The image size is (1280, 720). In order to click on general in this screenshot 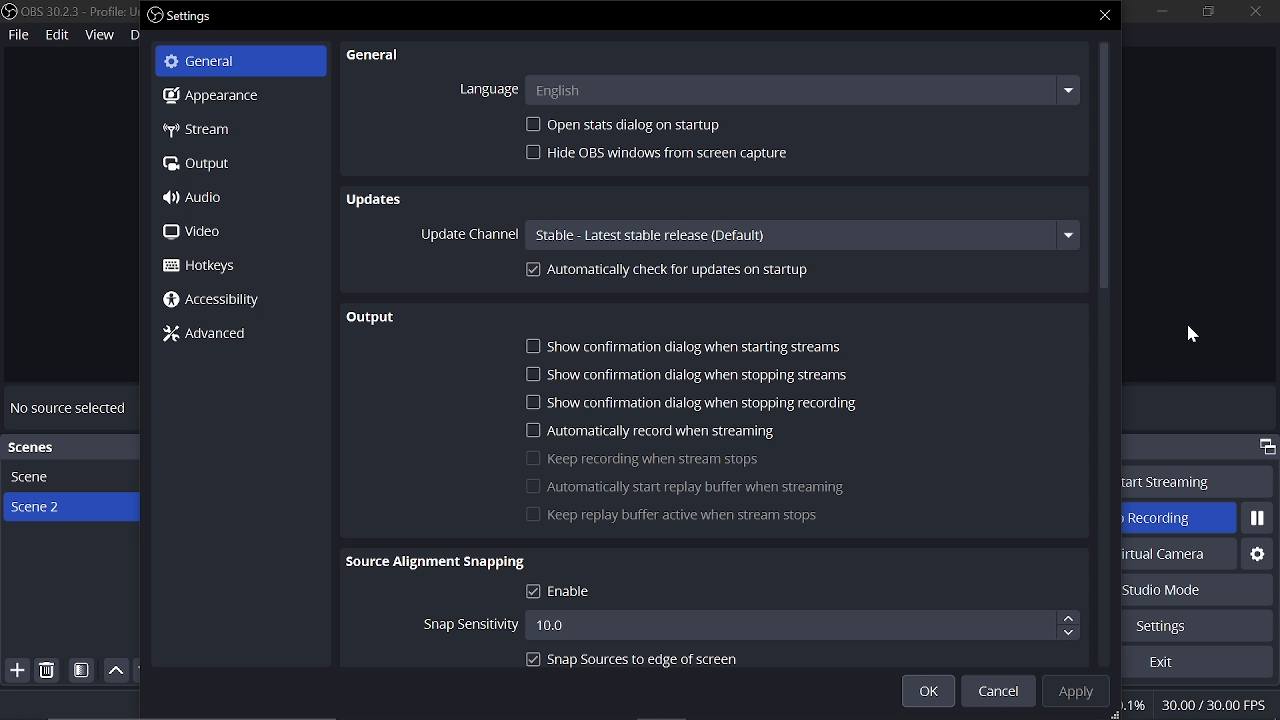, I will do `click(244, 62)`.